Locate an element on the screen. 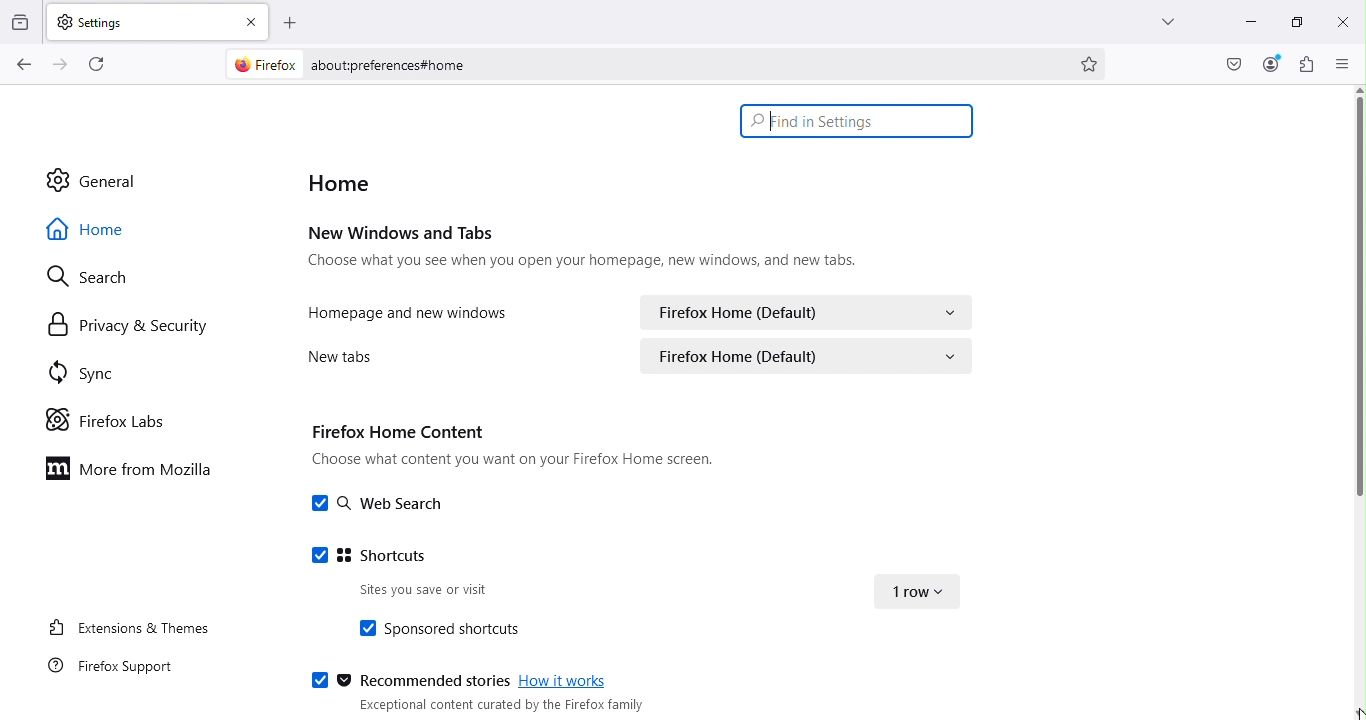 Image resolution: width=1366 pixels, height=720 pixels. move up is located at coordinates (1357, 88).